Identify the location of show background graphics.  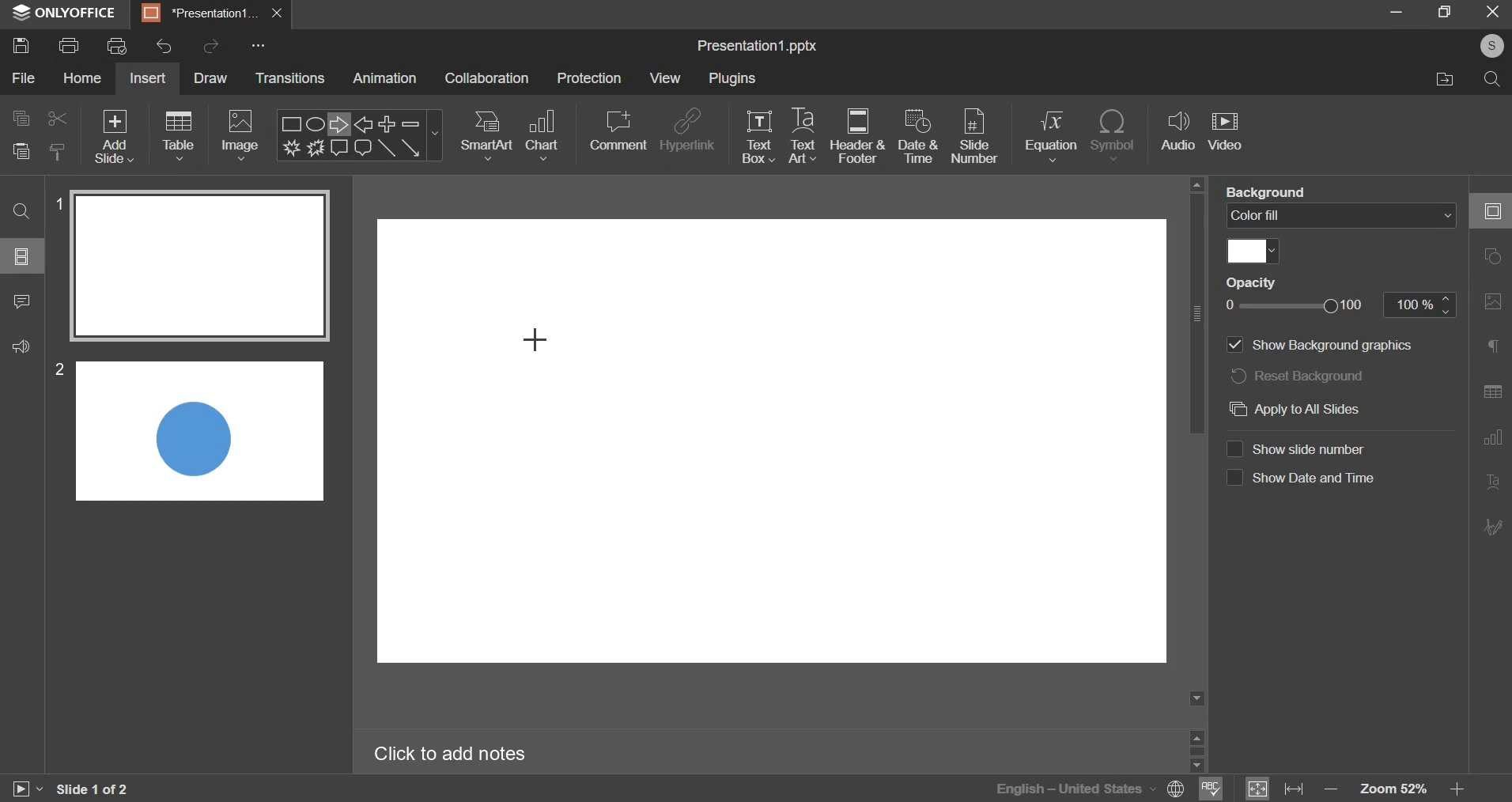
(1314, 346).